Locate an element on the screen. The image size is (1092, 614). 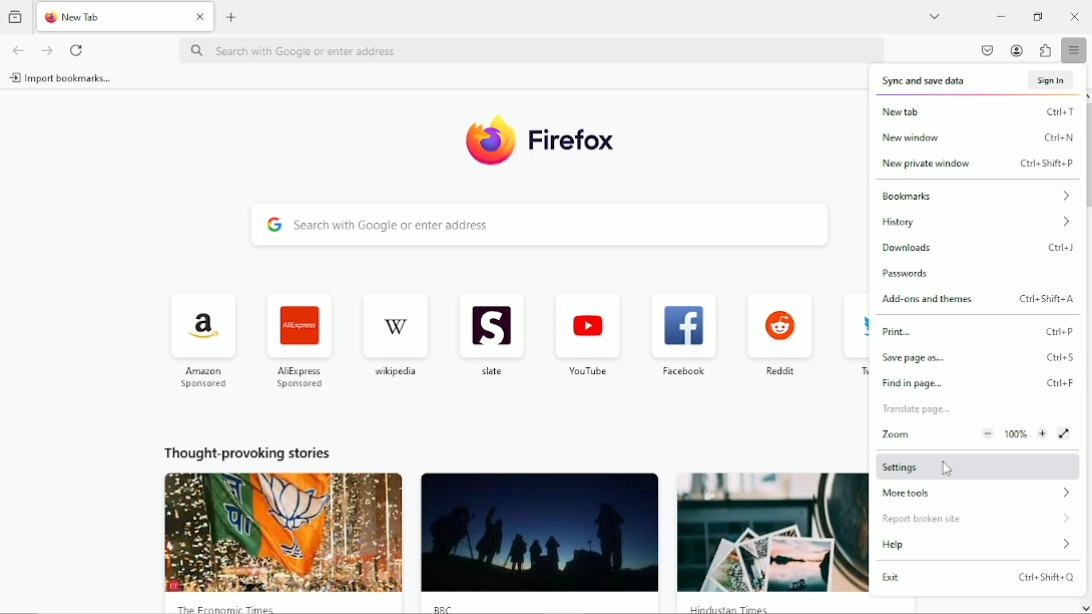
go back is located at coordinates (19, 50).